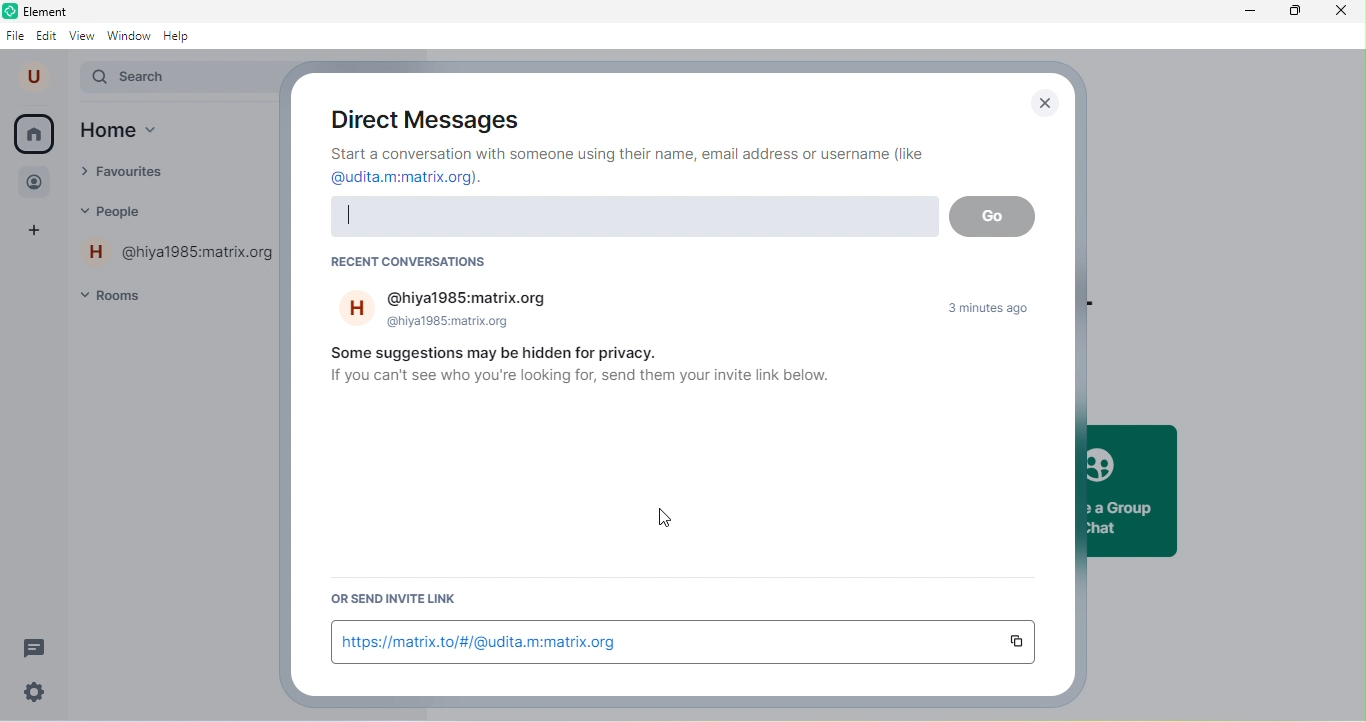 The height and width of the screenshot is (722, 1366). What do you see at coordinates (36, 647) in the screenshot?
I see `threads` at bounding box center [36, 647].